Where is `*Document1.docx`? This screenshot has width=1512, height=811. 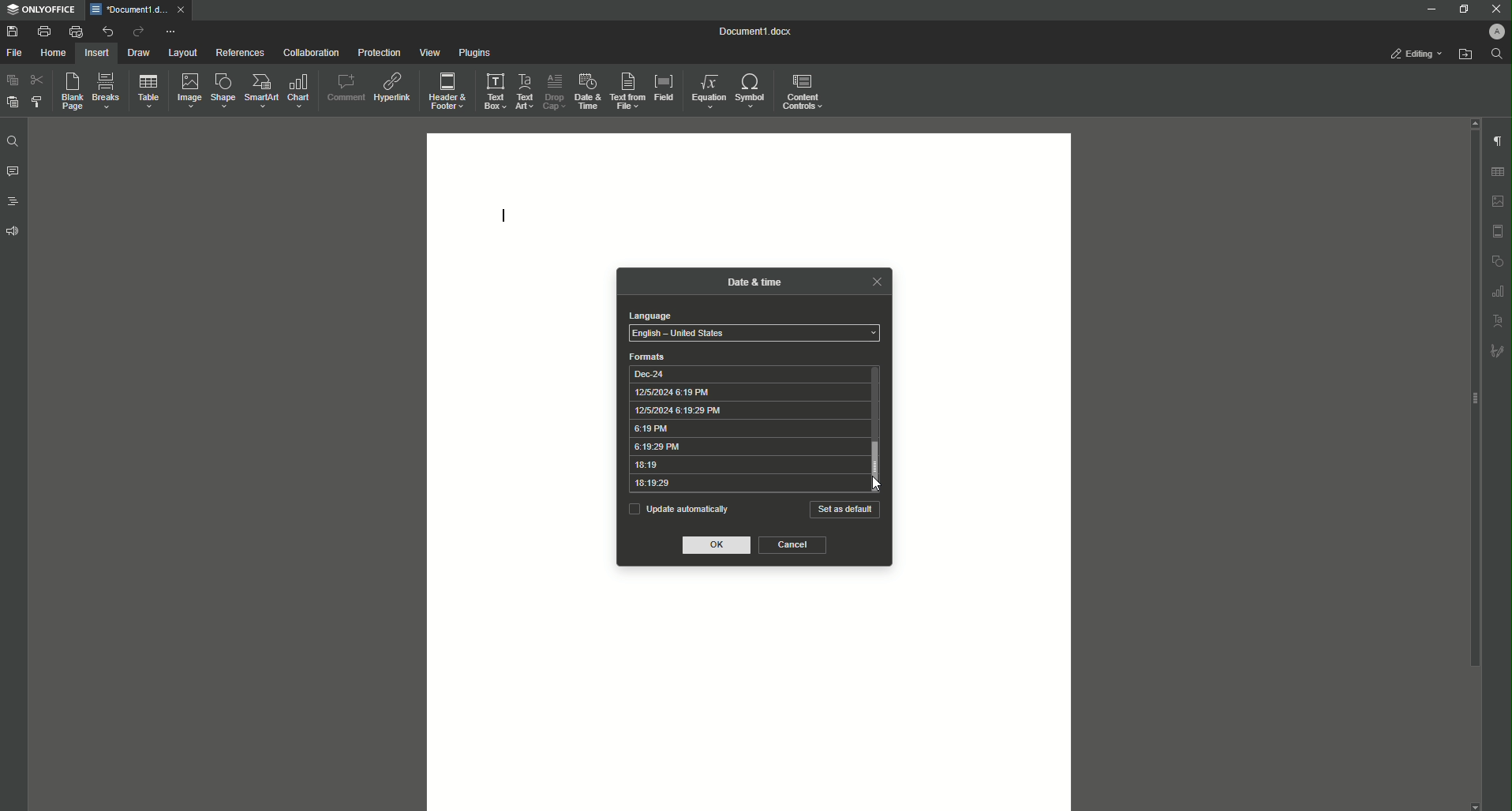 *Document1.docx is located at coordinates (128, 9).